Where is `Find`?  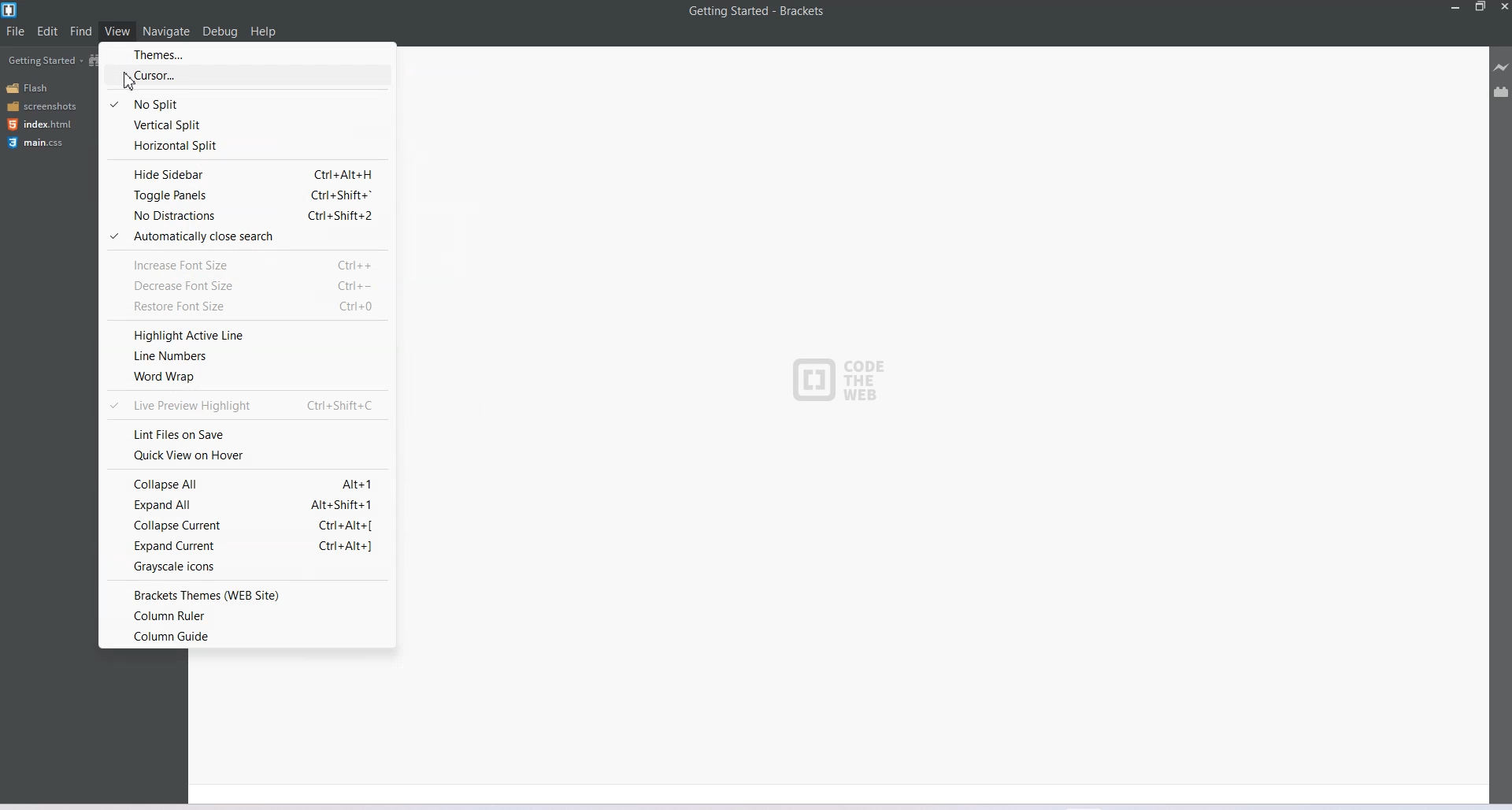
Find is located at coordinates (82, 30).